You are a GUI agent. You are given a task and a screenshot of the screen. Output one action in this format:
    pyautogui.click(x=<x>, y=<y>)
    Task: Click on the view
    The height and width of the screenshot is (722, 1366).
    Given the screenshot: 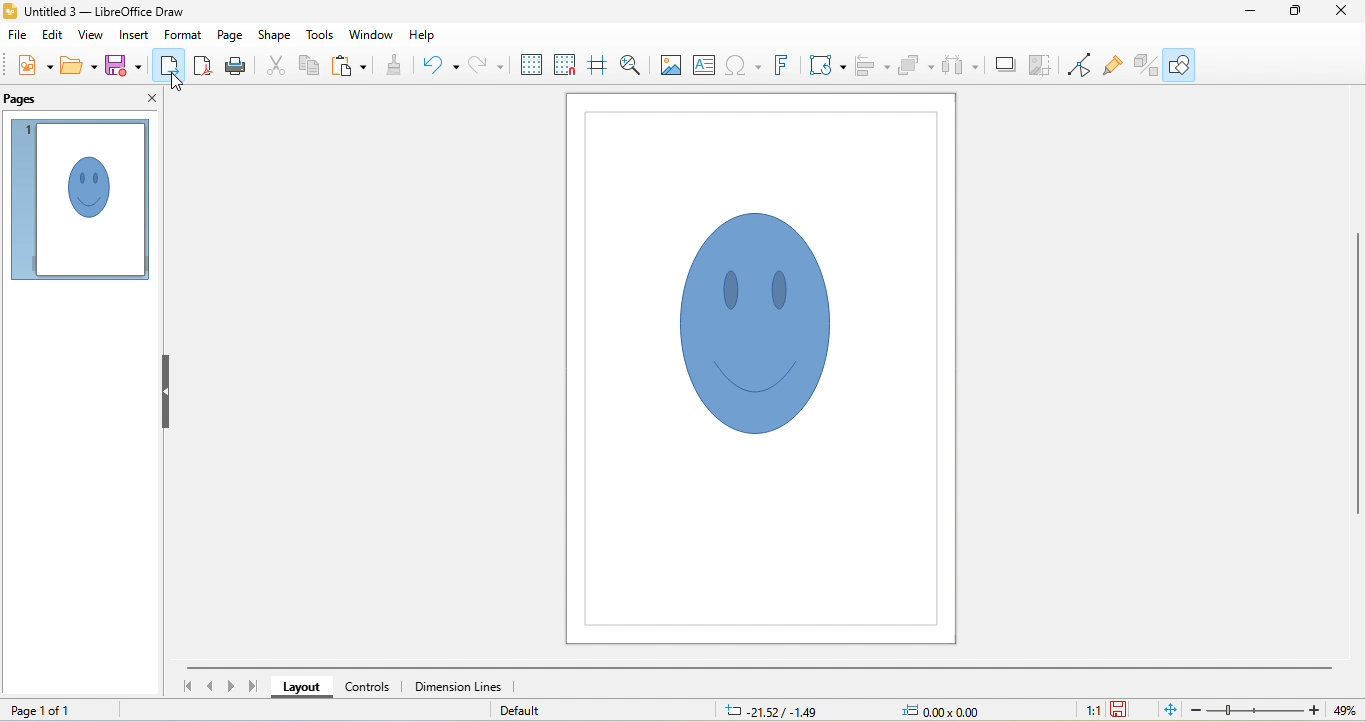 What is the action you would take?
    pyautogui.click(x=89, y=35)
    